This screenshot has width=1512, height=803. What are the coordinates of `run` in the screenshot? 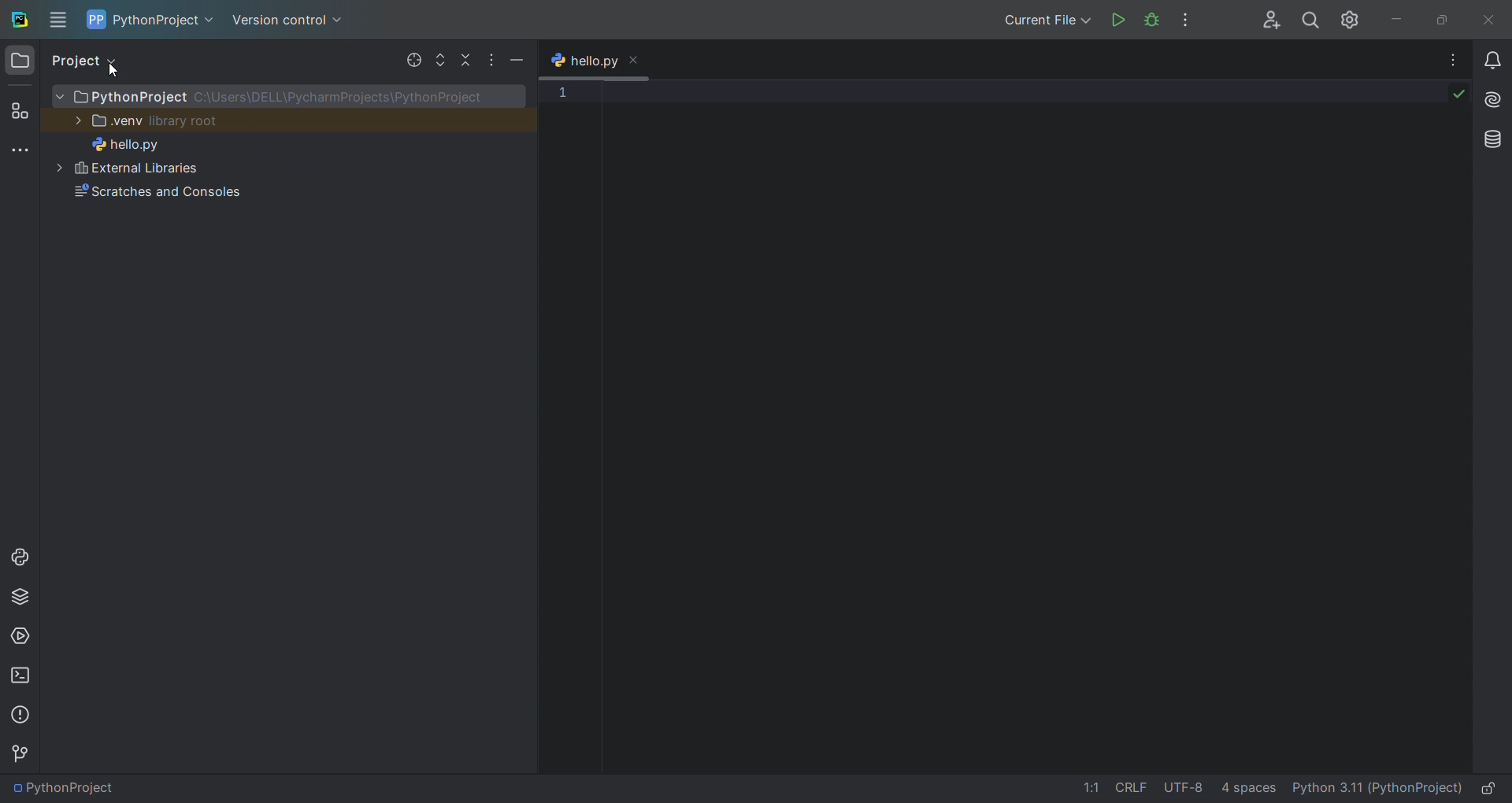 It's located at (1118, 18).